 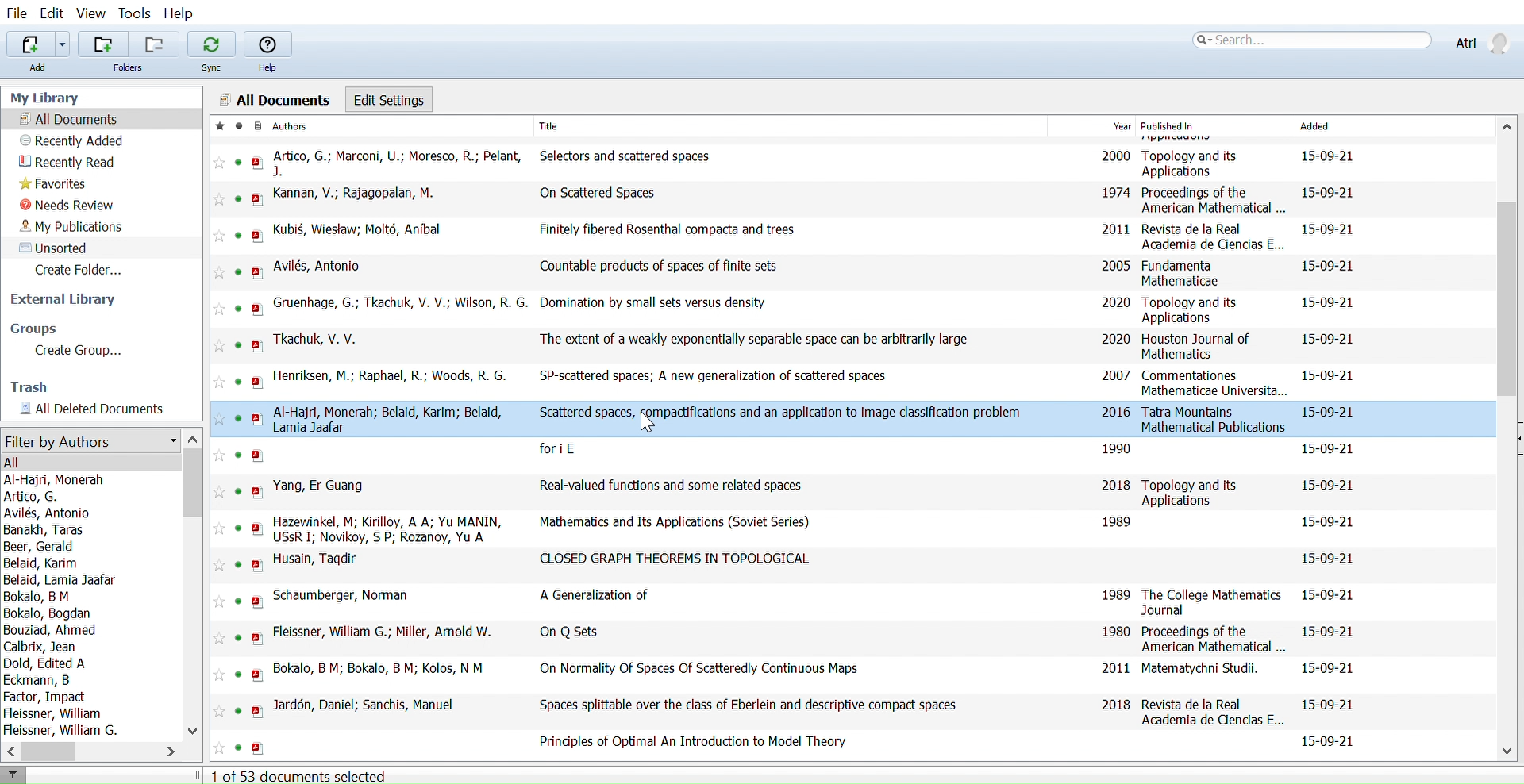 I want to click on 15-09-21, so click(x=1330, y=376).